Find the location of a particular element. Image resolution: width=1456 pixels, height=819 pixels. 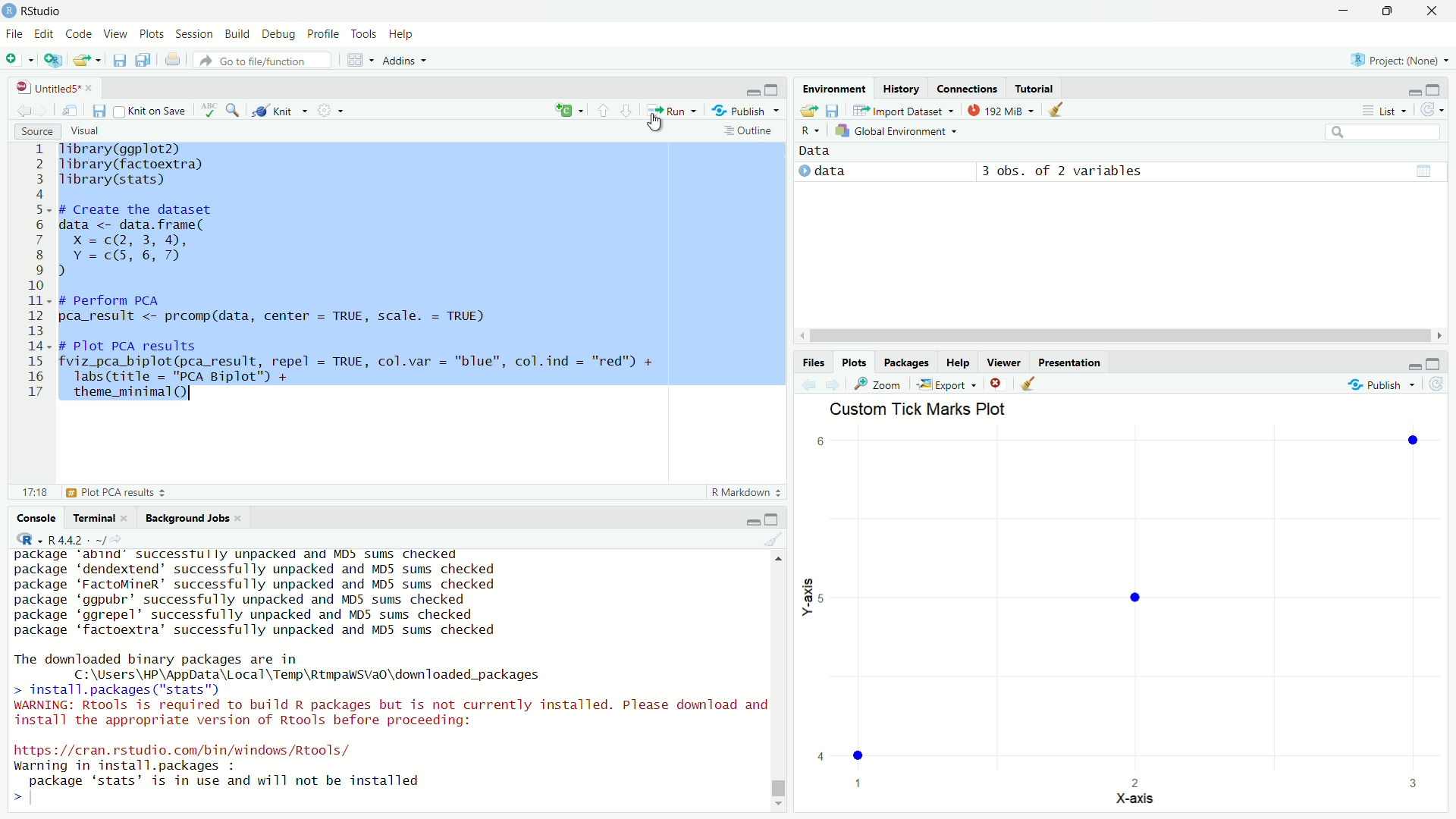

Build is located at coordinates (238, 35).